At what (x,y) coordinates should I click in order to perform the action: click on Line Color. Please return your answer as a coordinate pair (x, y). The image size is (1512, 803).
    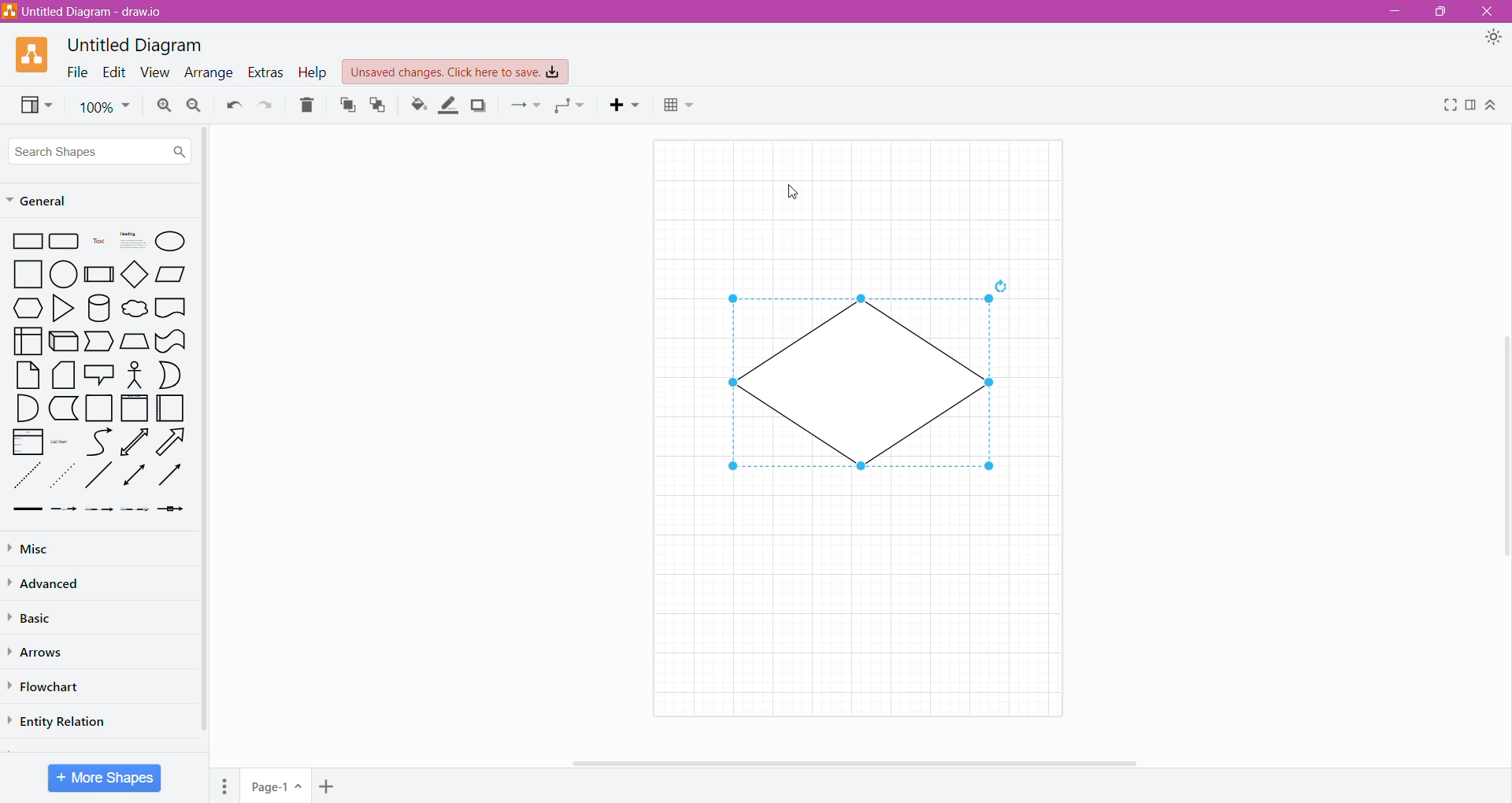
    Looking at the image, I should click on (449, 105).